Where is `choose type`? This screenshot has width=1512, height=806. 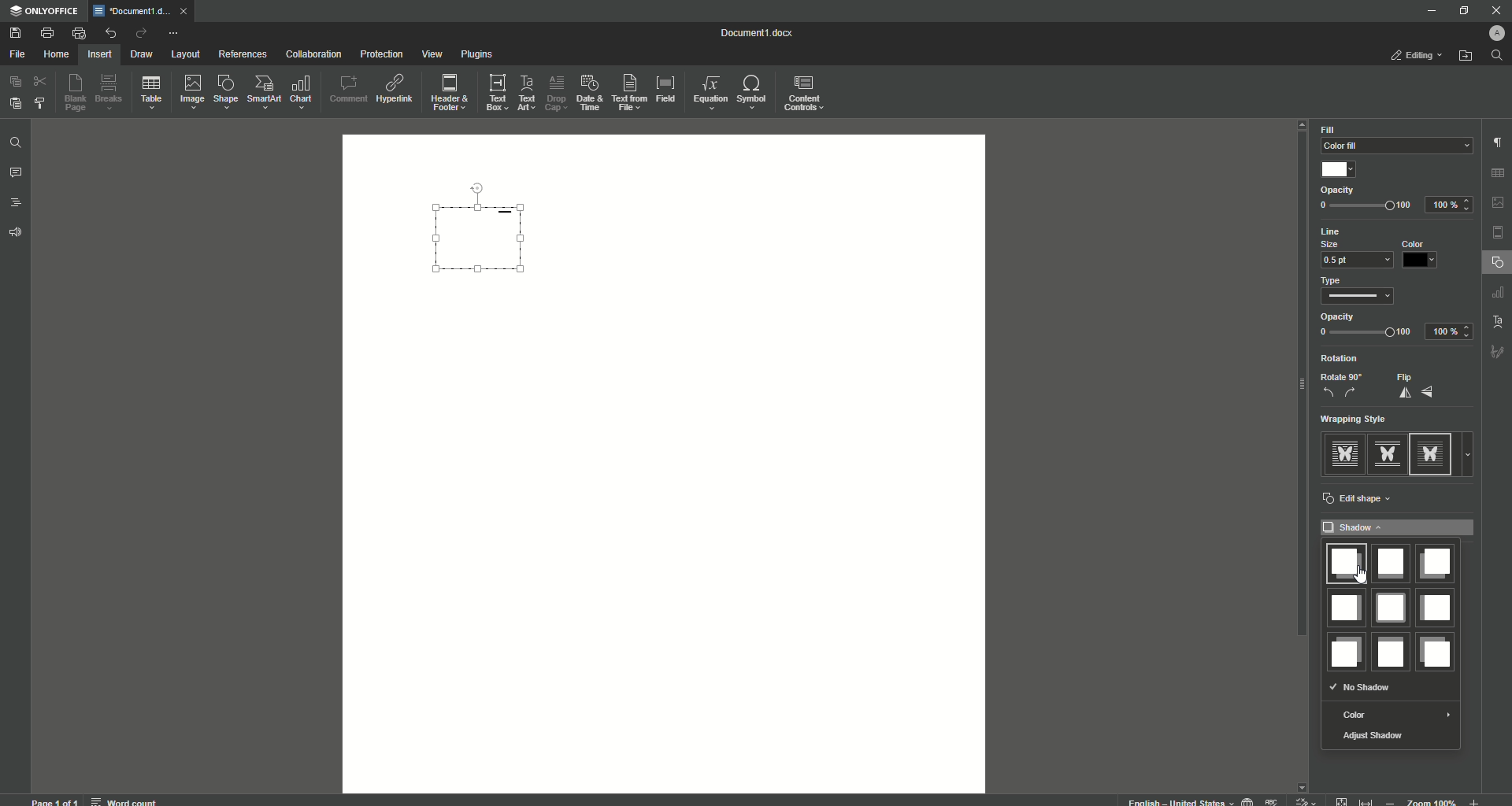 choose type is located at coordinates (1362, 298).